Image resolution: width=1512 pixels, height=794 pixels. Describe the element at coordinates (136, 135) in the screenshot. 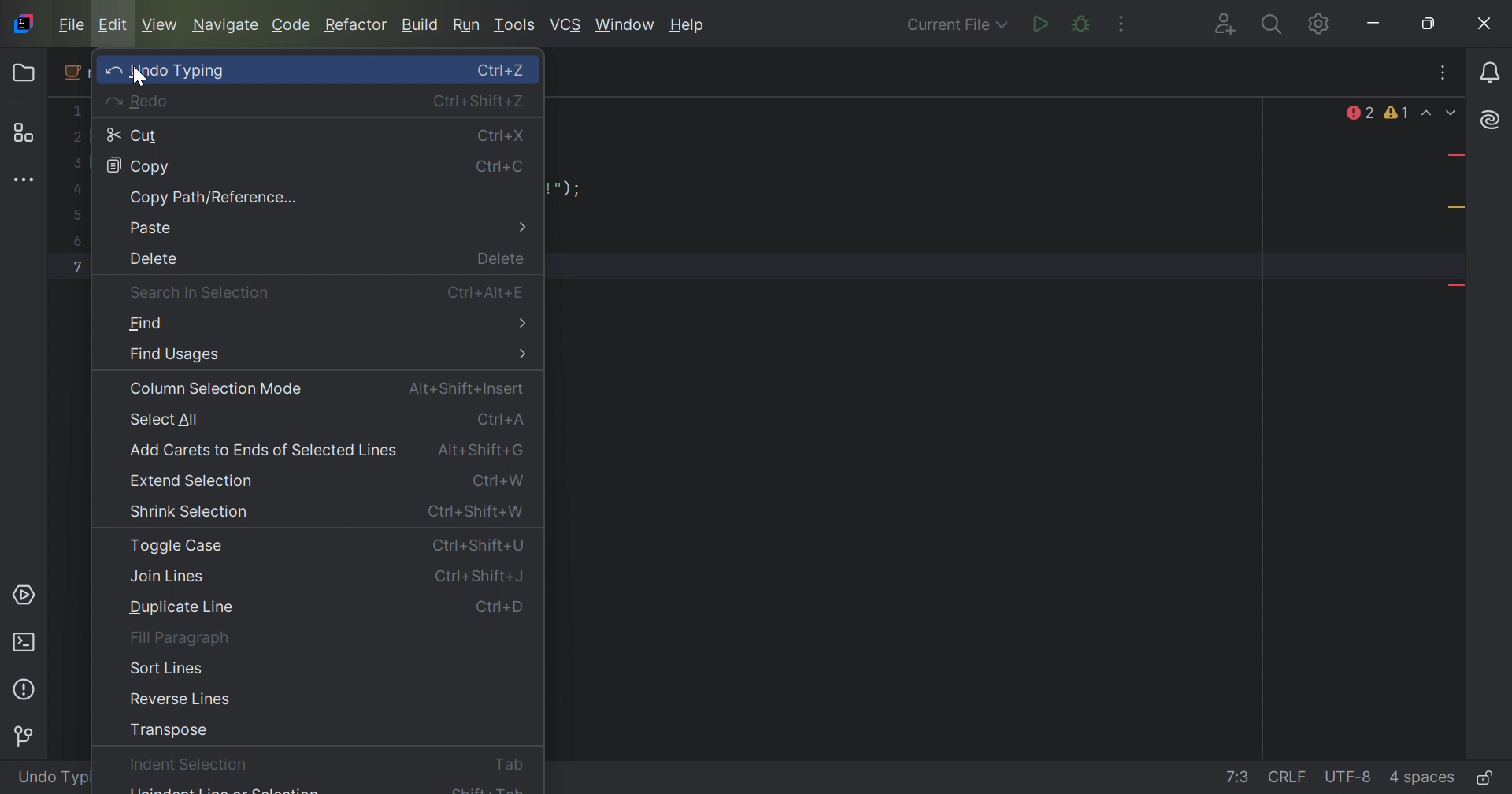

I see `Cut` at that location.